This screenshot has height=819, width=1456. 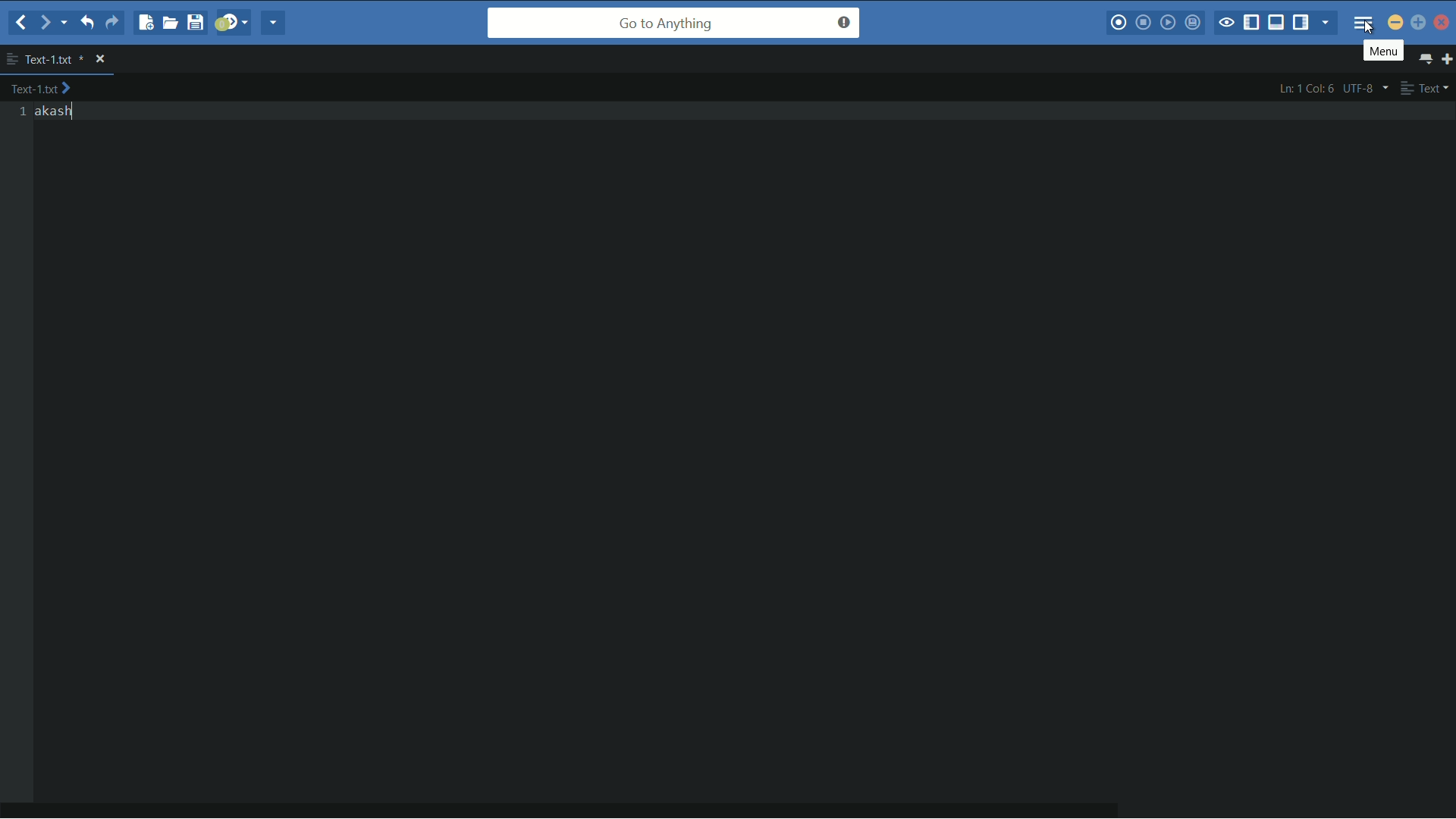 What do you see at coordinates (1395, 23) in the screenshot?
I see `minimize` at bounding box center [1395, 23].